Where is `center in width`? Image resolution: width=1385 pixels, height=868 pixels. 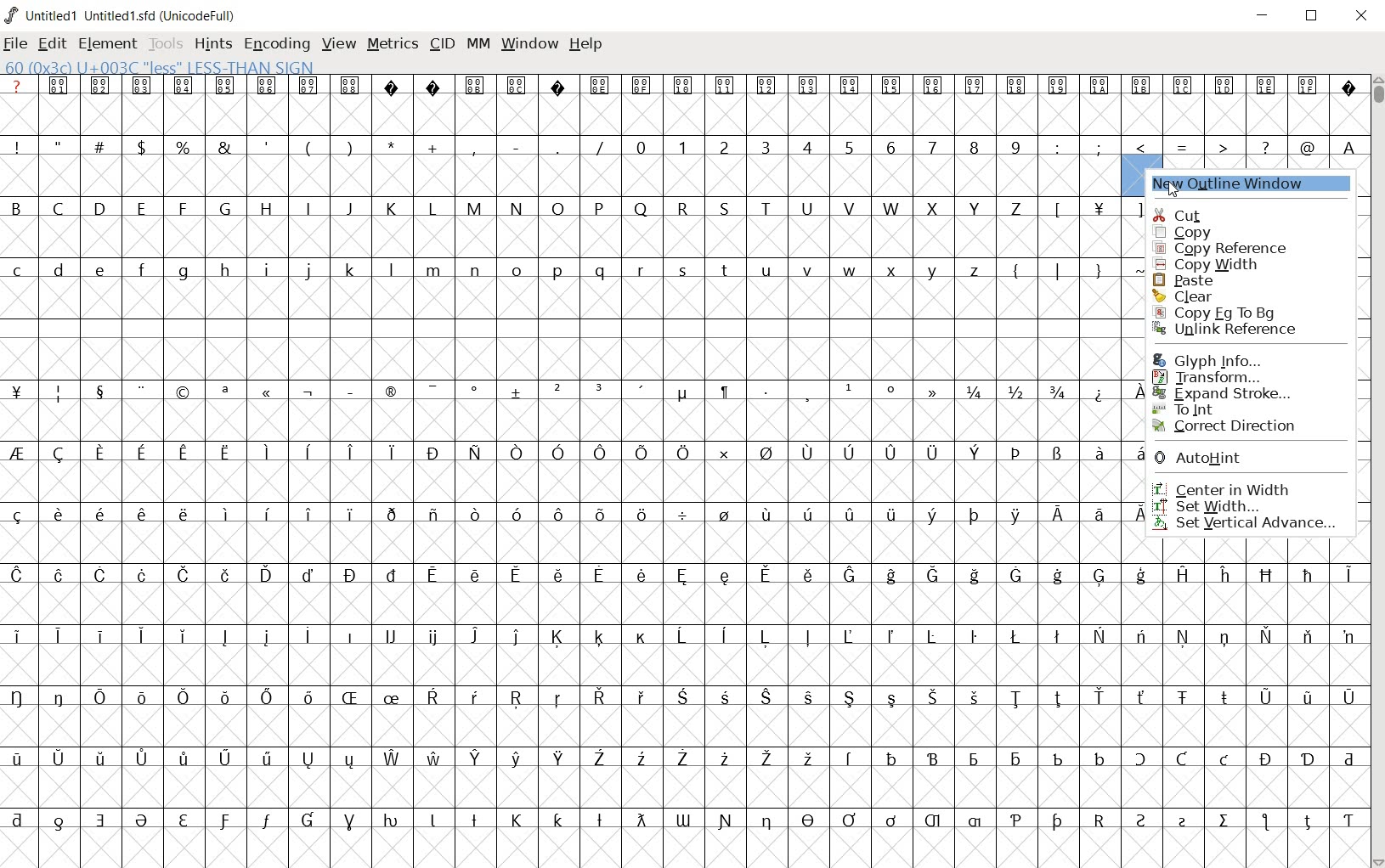
center in width is located at coordinates (1239, 488).